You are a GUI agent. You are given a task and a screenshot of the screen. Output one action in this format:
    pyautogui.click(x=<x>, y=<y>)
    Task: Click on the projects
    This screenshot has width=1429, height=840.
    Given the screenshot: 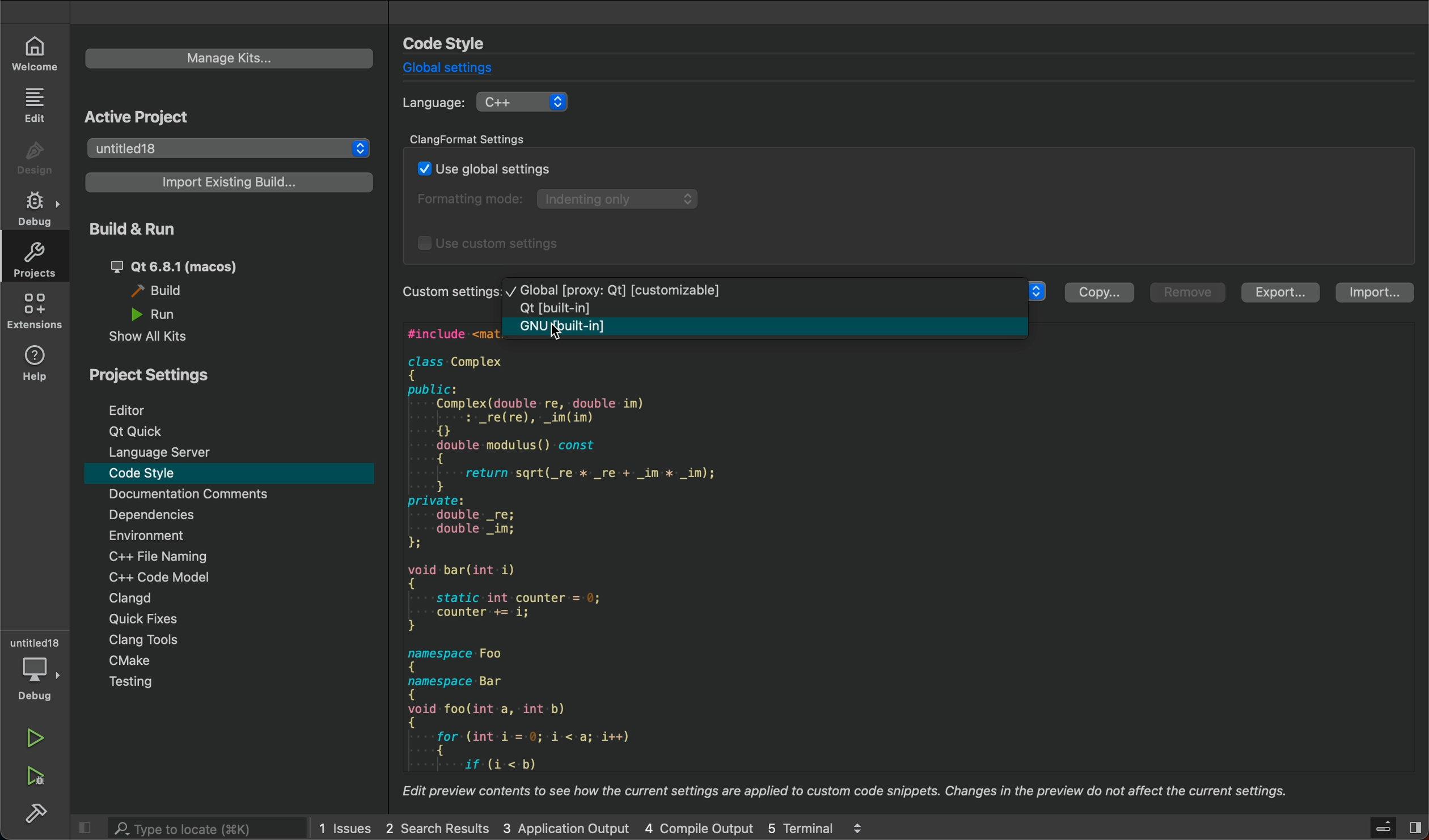 What is the action you would take?
    pyautogui.click(x=34, y=261)
    